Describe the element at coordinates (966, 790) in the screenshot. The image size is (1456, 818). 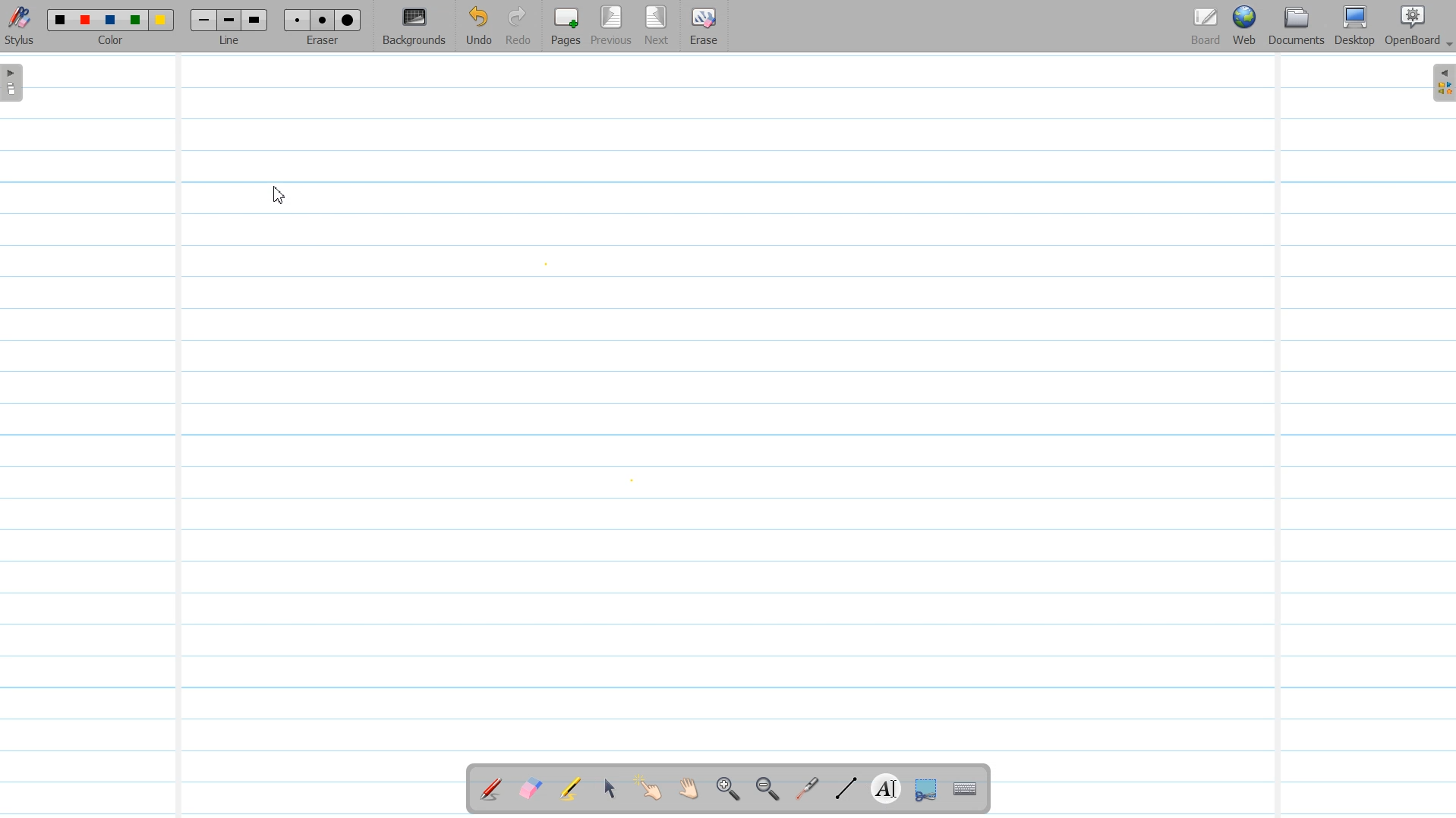
I see `Display virtual Keyboard` at that location.